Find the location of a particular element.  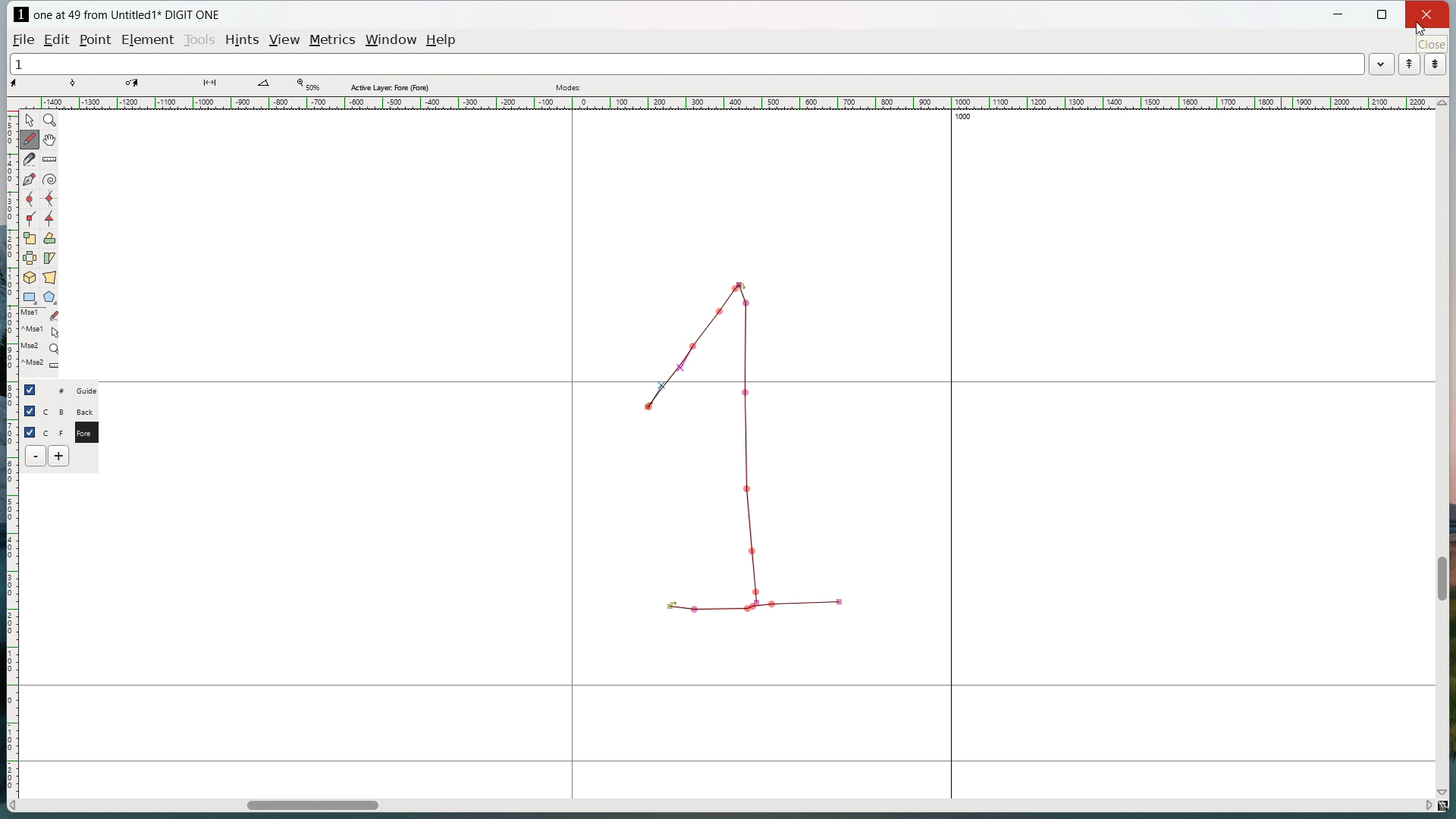

scroll down is located at coordinates (1446, 789).